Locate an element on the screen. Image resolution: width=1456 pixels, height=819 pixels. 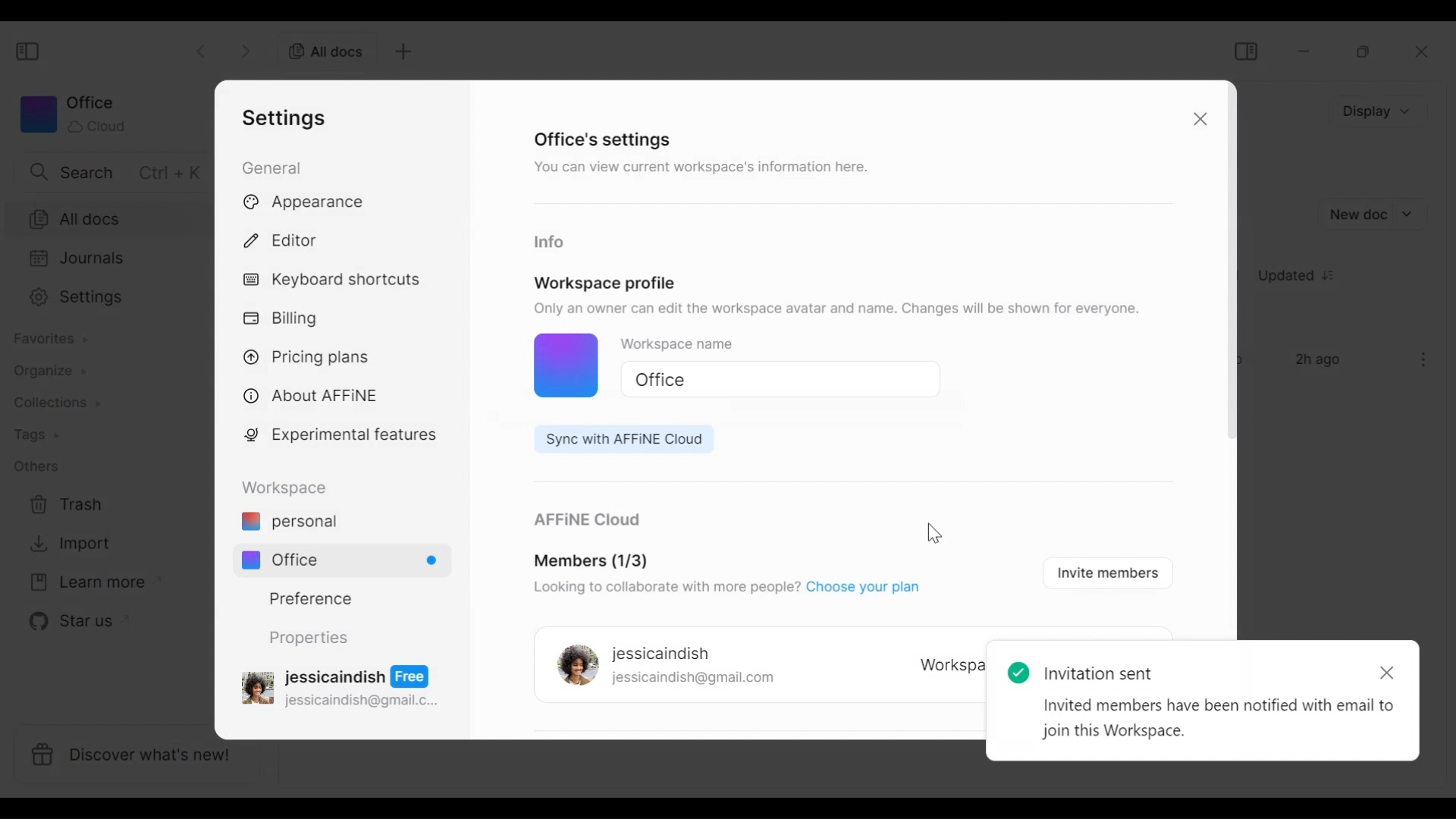
Go back is located at coordinates (203, 49).